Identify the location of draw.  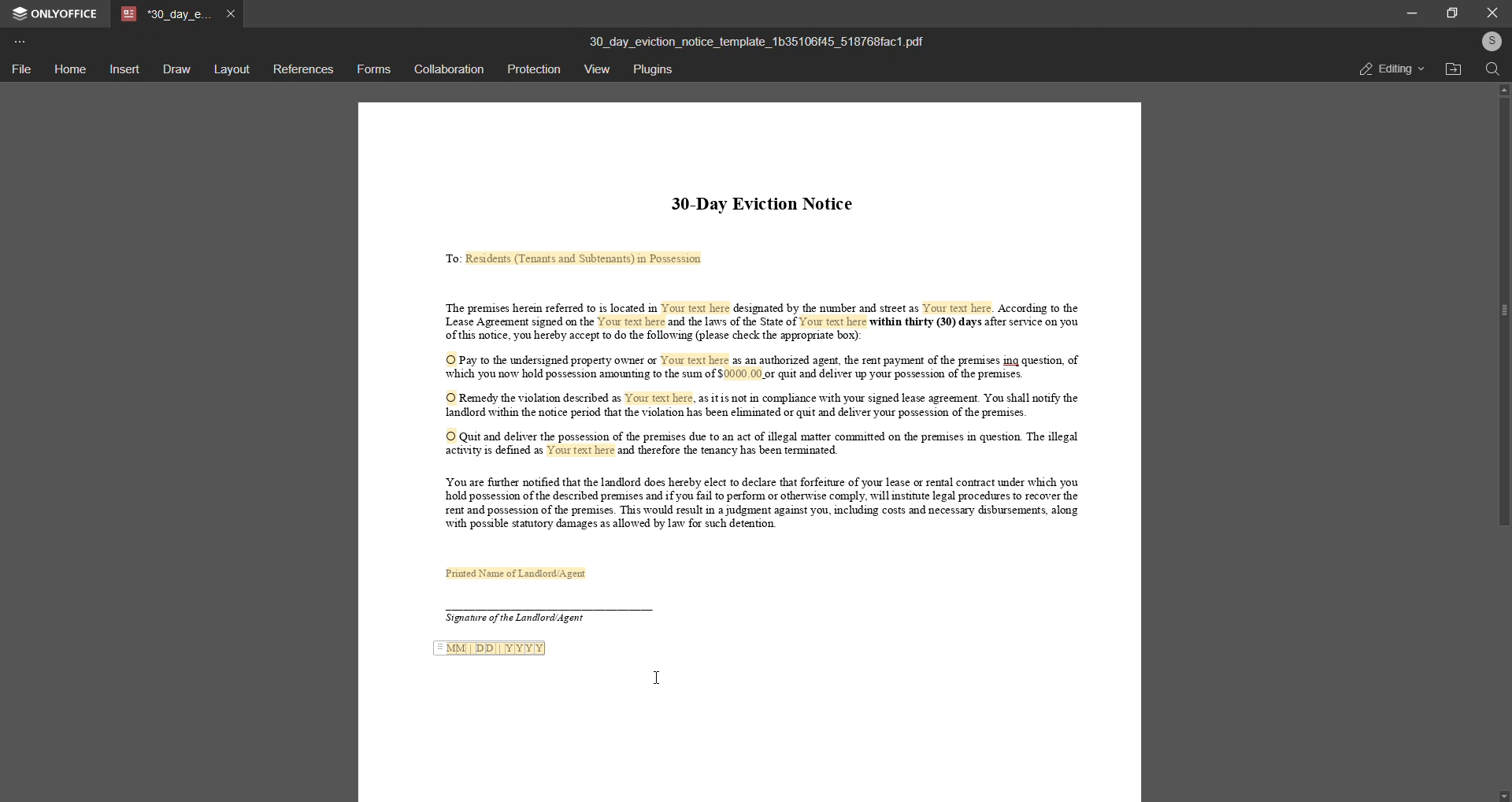
(176, 69).